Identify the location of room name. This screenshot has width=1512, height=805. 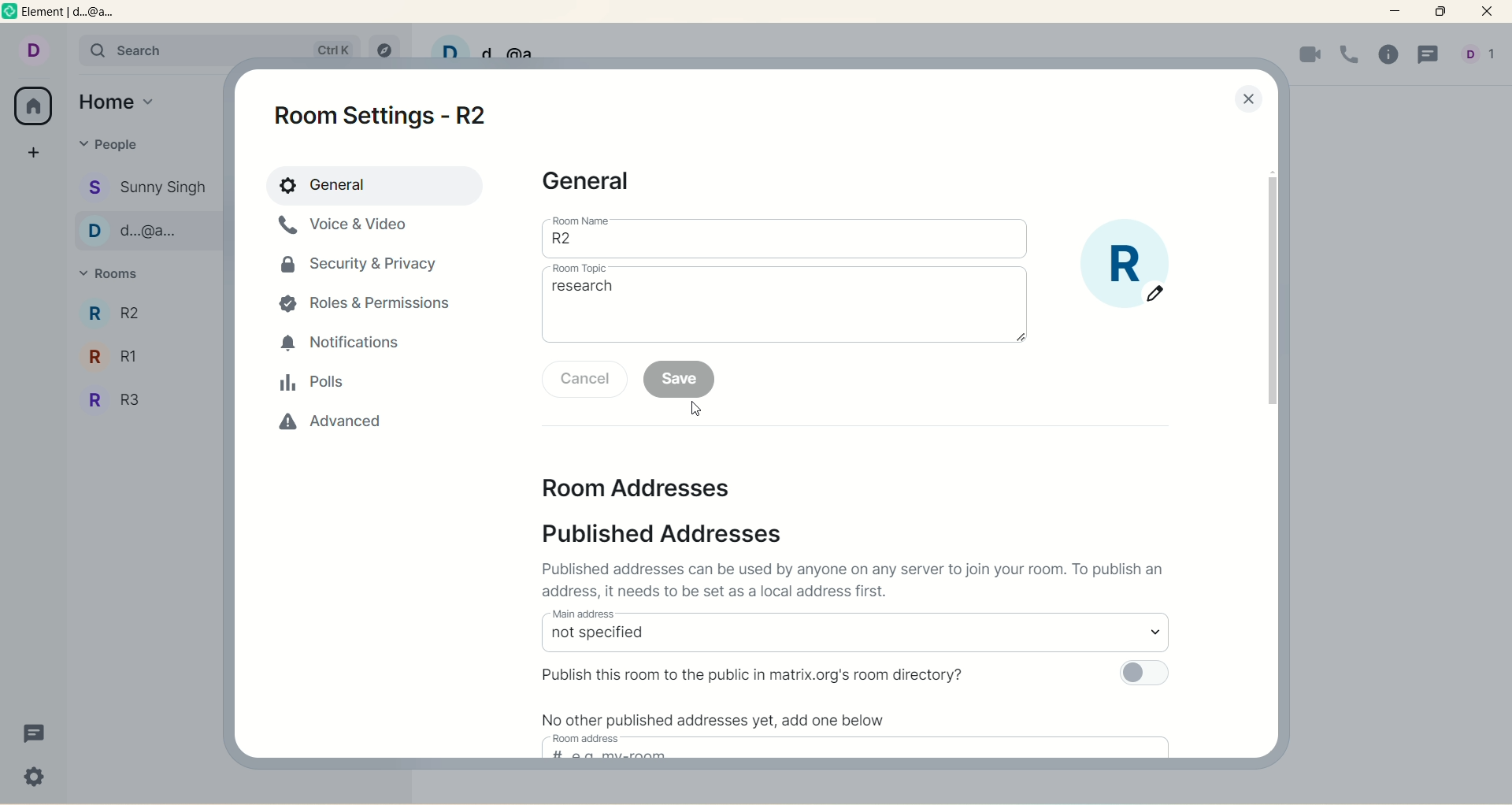
(581, 220).